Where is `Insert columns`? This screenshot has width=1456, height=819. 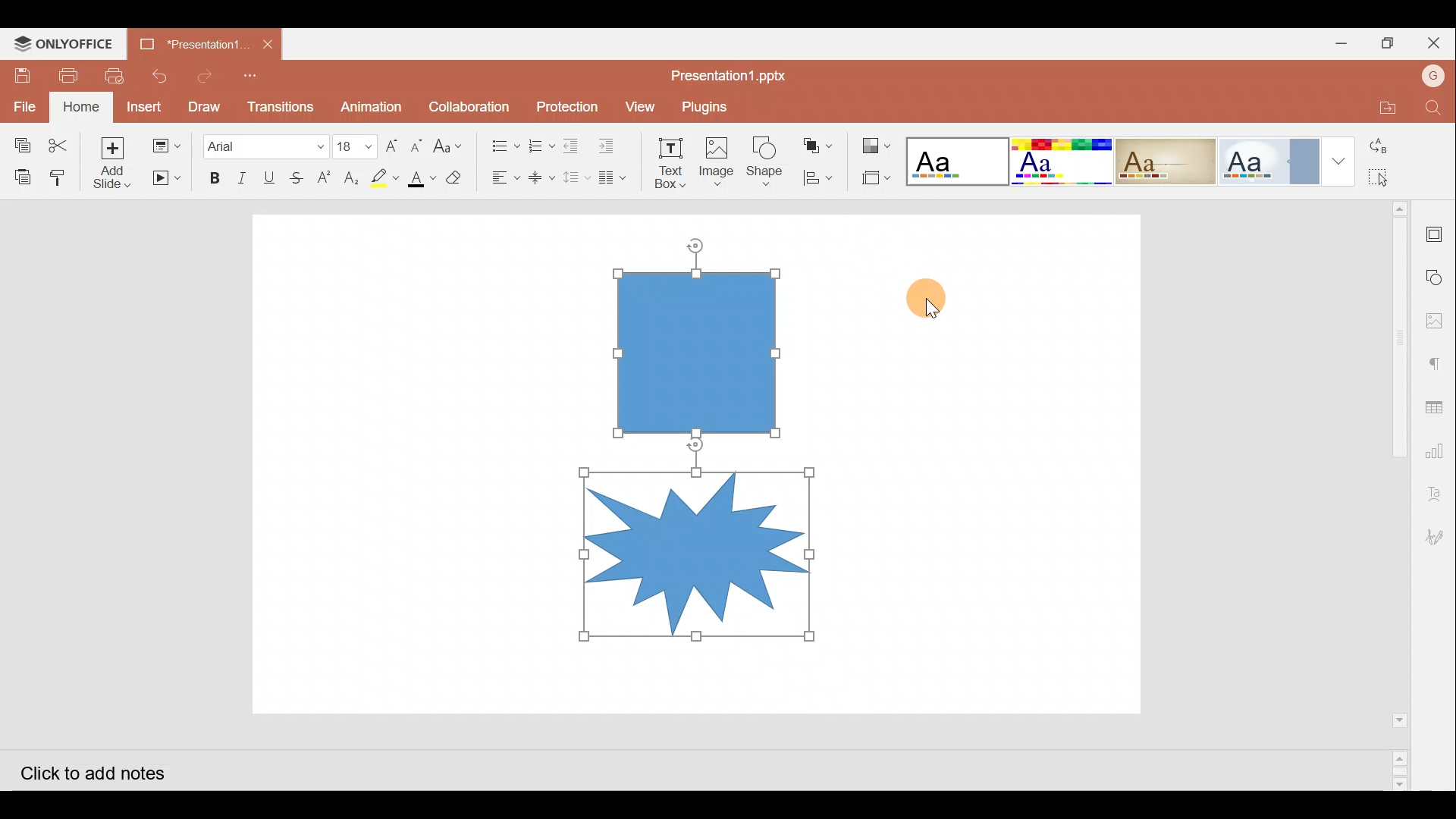 Insert columns is located at coordinates (616, 177).